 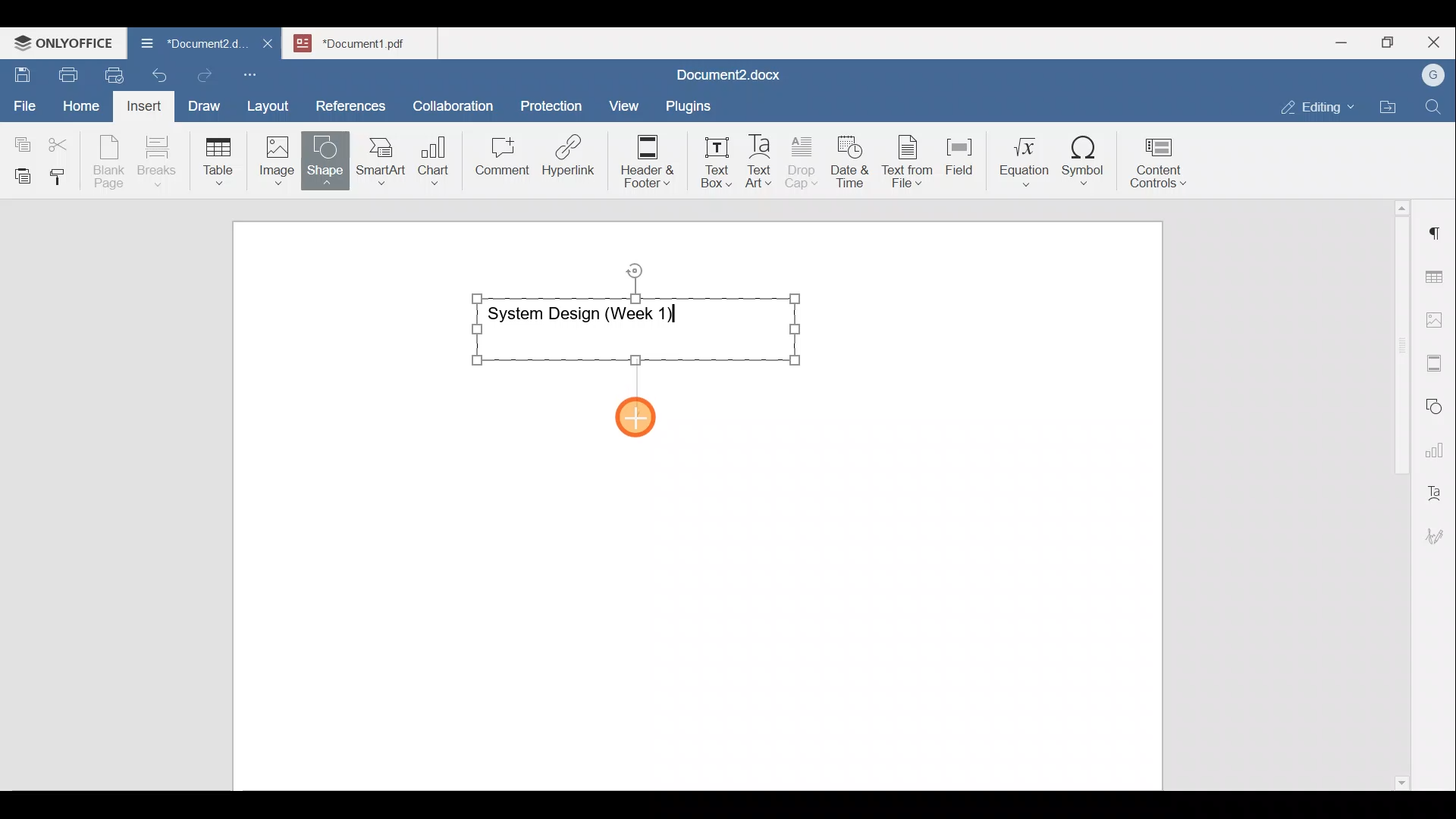 I want to click on Quick print, so click(x=110, y=73).